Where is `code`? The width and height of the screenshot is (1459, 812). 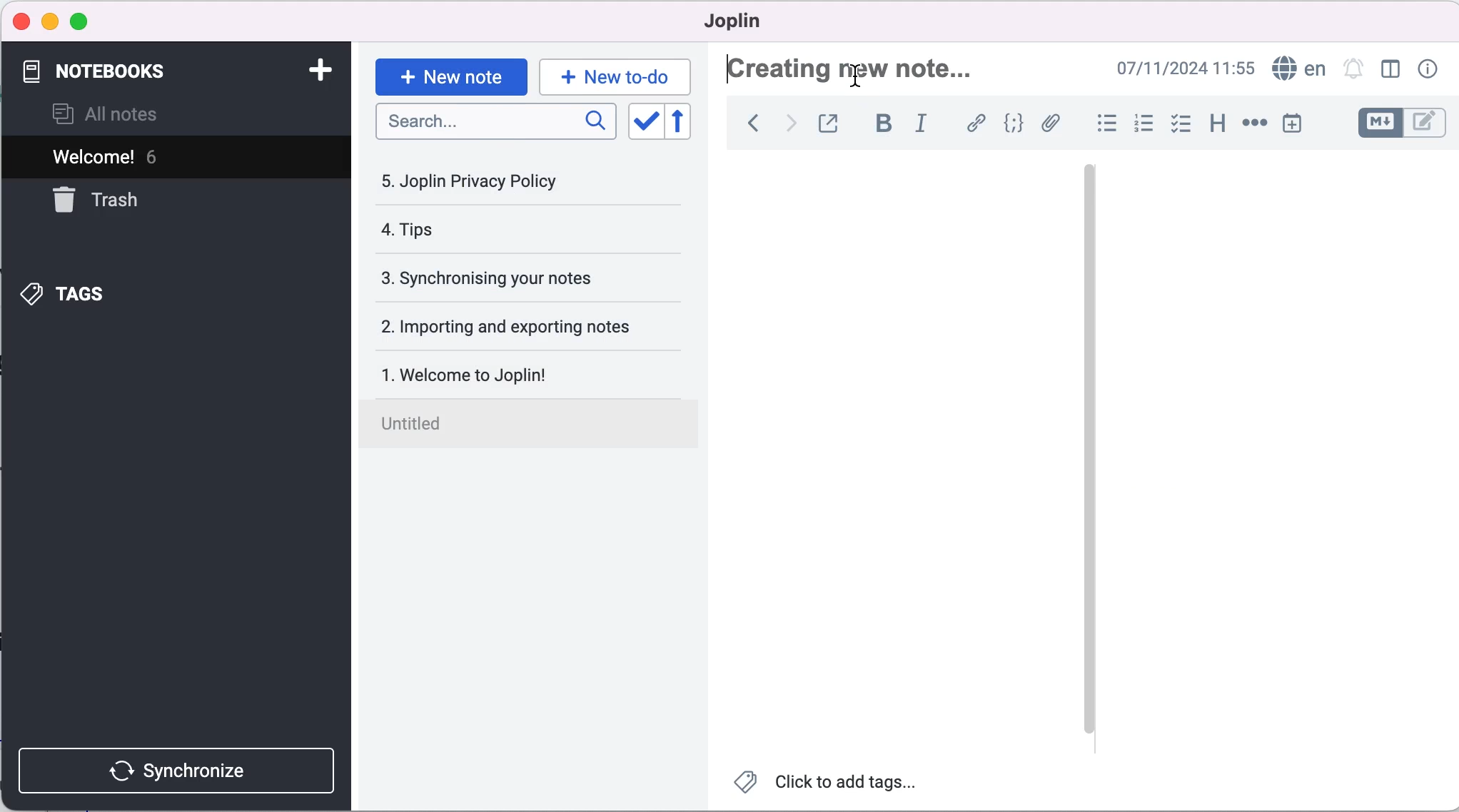 code is located at coordinates (1010, 125).